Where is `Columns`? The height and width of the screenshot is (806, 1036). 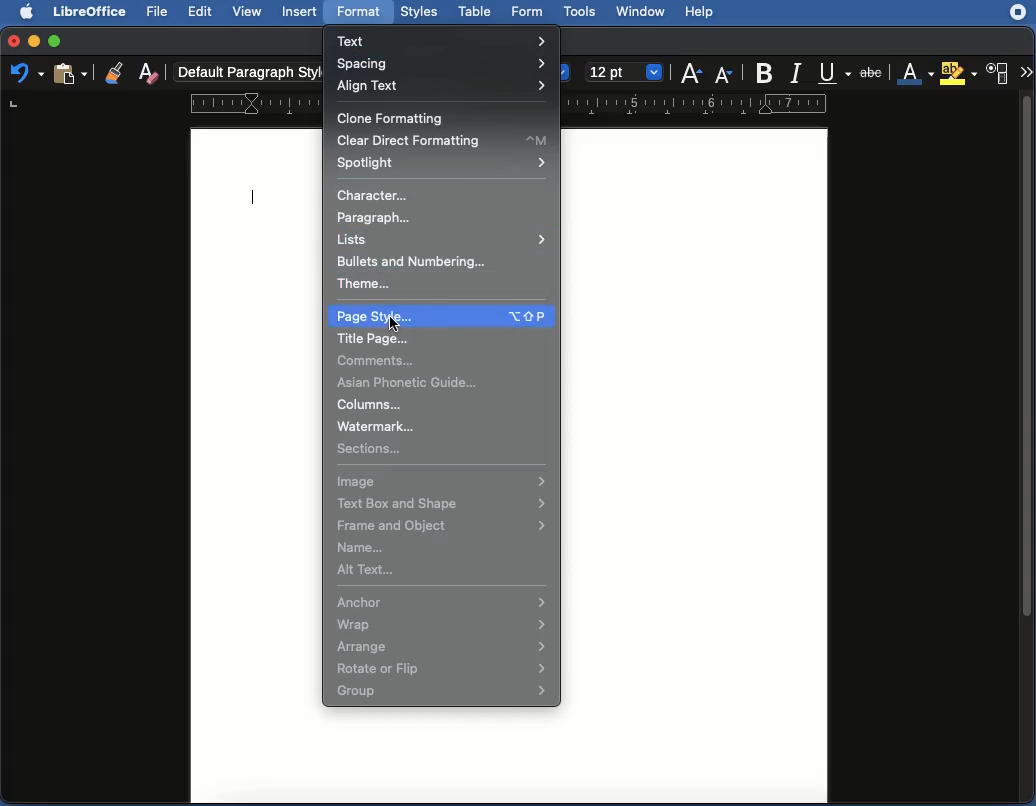 Columns is located at coordinates (371, 404).